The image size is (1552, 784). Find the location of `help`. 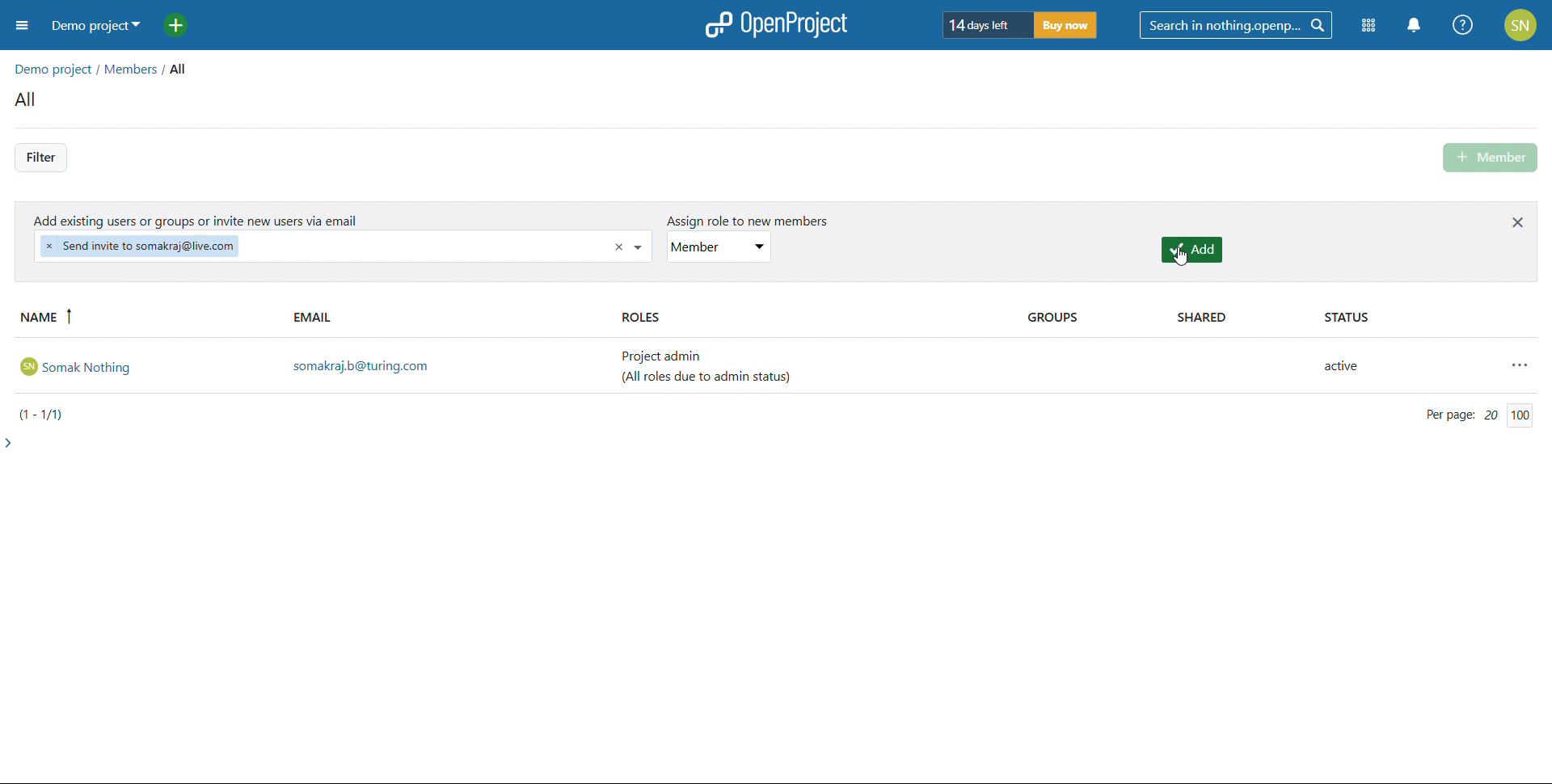

help is located at coordinates (1464, 25).